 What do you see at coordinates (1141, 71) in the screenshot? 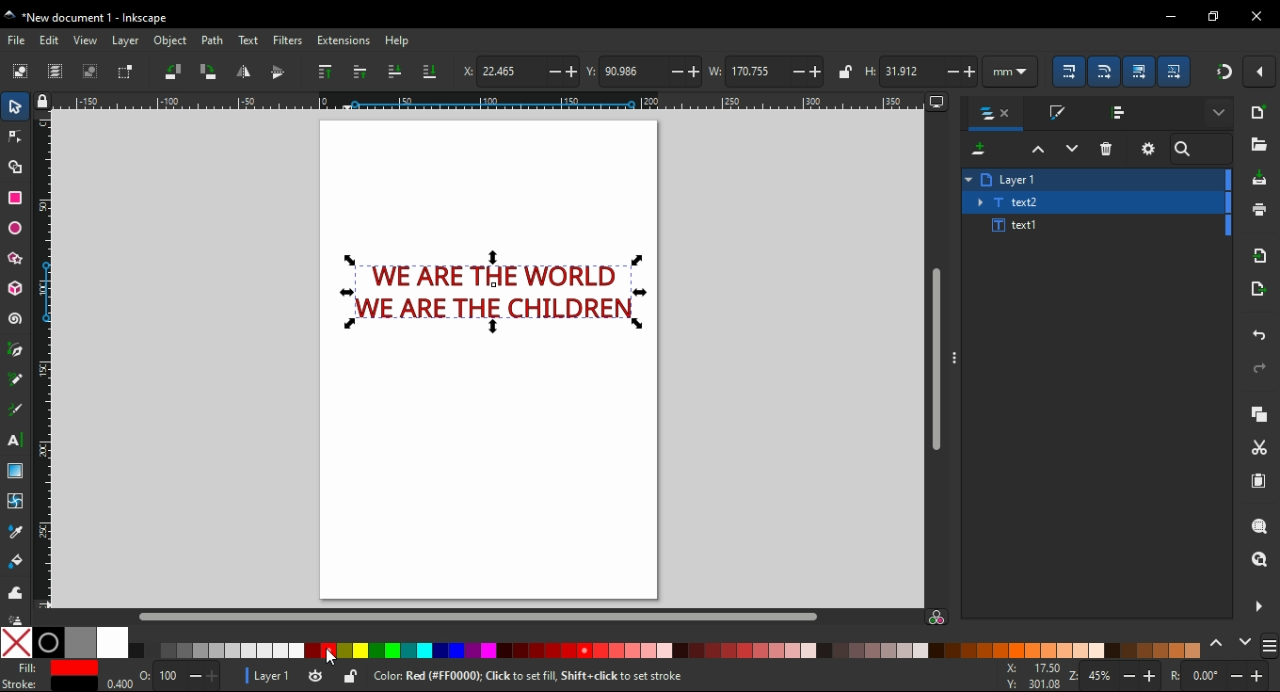
I see `move gradients along with the objects` at bounding box center [1141, 71].